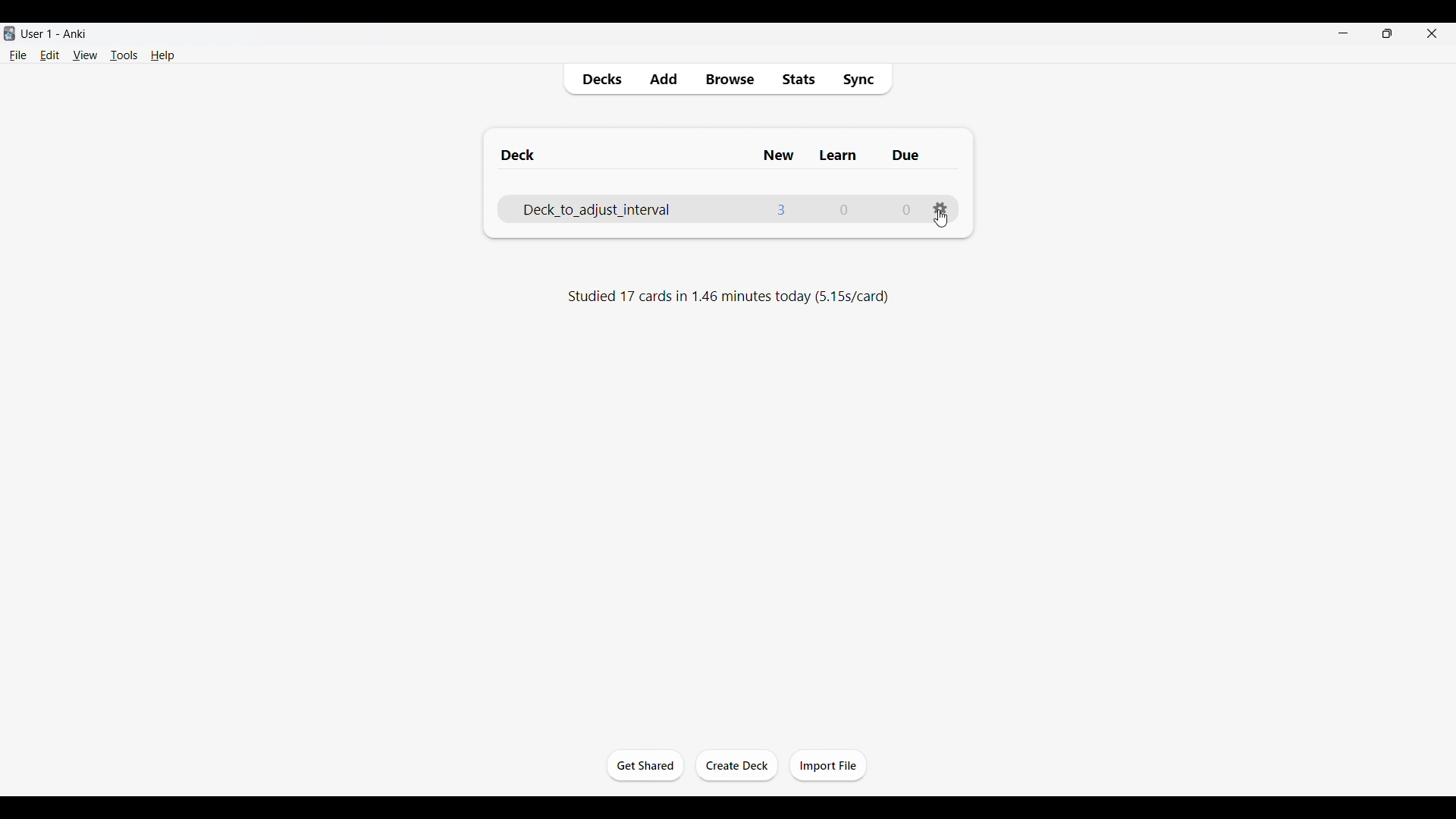 This screenshot has width=1456, height=819. I want to click on Studied 17 cards in 1.46 minutes today (5.15s/card), so click(732, 296).